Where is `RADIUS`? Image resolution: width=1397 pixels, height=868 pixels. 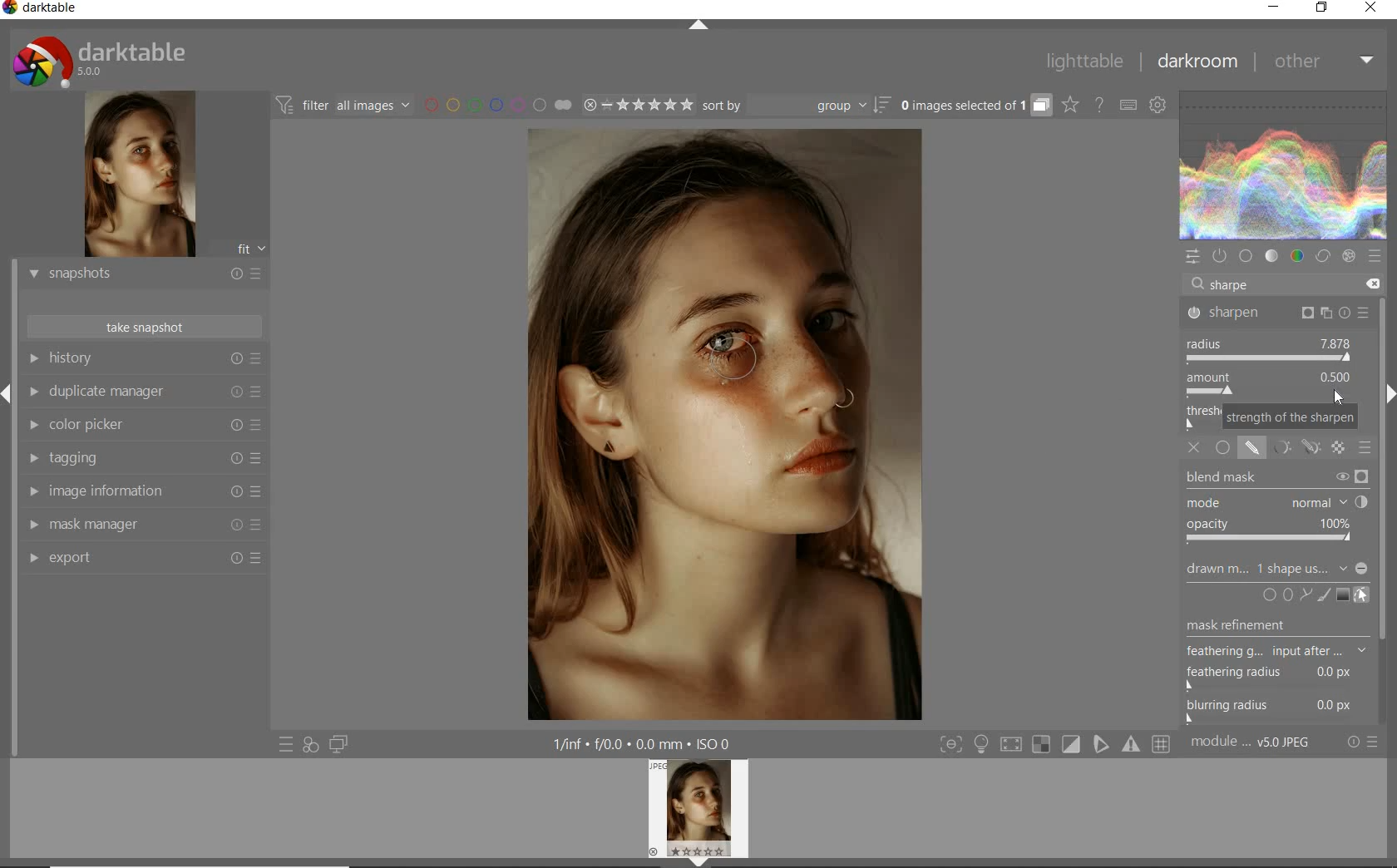
RADIUS is located at coordinates (1271, 350).